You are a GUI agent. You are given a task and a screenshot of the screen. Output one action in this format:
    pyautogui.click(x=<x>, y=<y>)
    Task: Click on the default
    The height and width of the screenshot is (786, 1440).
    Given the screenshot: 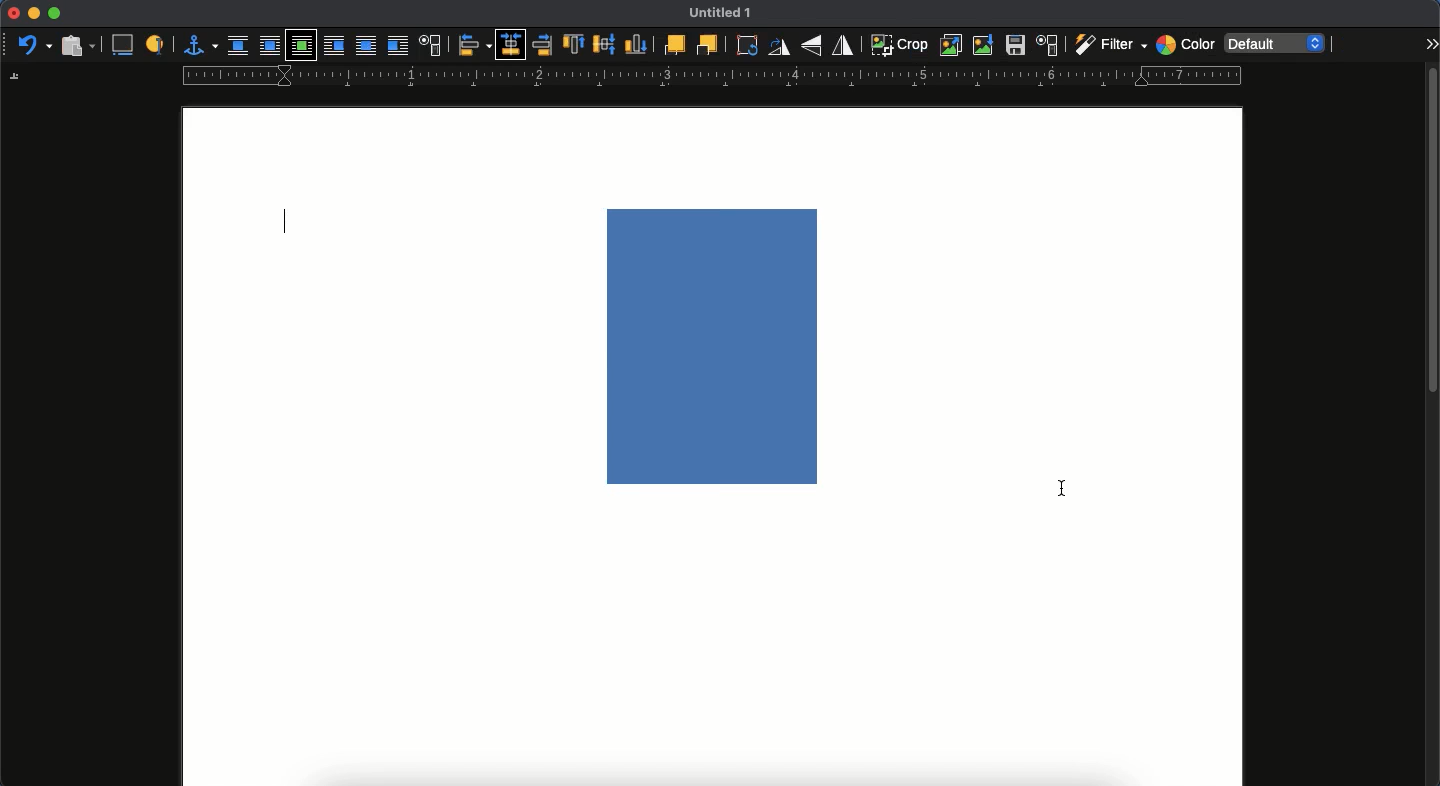 What is the action you would take?
    pyautogui.click(x=1275, y=43)
    